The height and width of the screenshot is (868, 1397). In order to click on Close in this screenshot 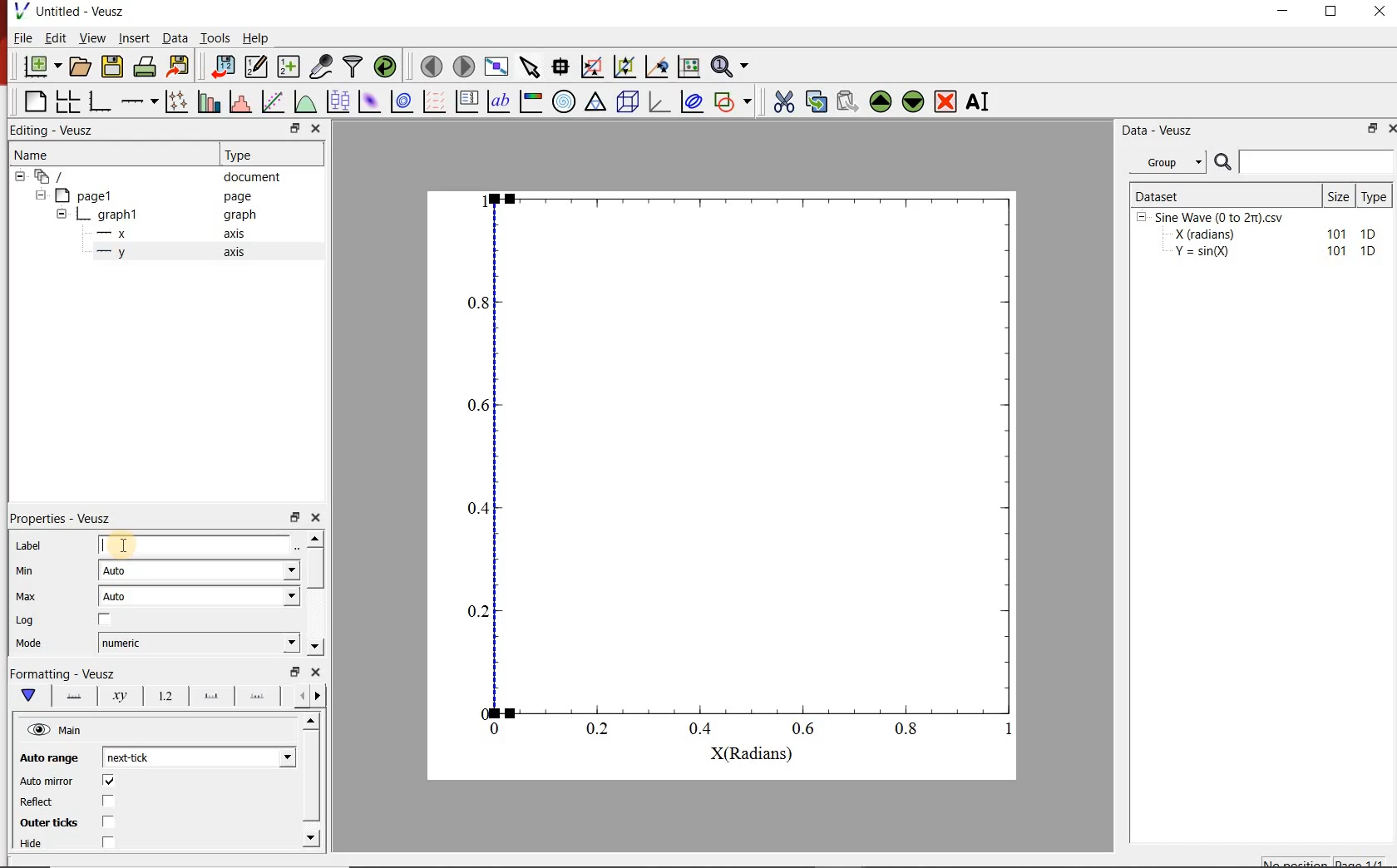, I will do `click(1381, 11)`.